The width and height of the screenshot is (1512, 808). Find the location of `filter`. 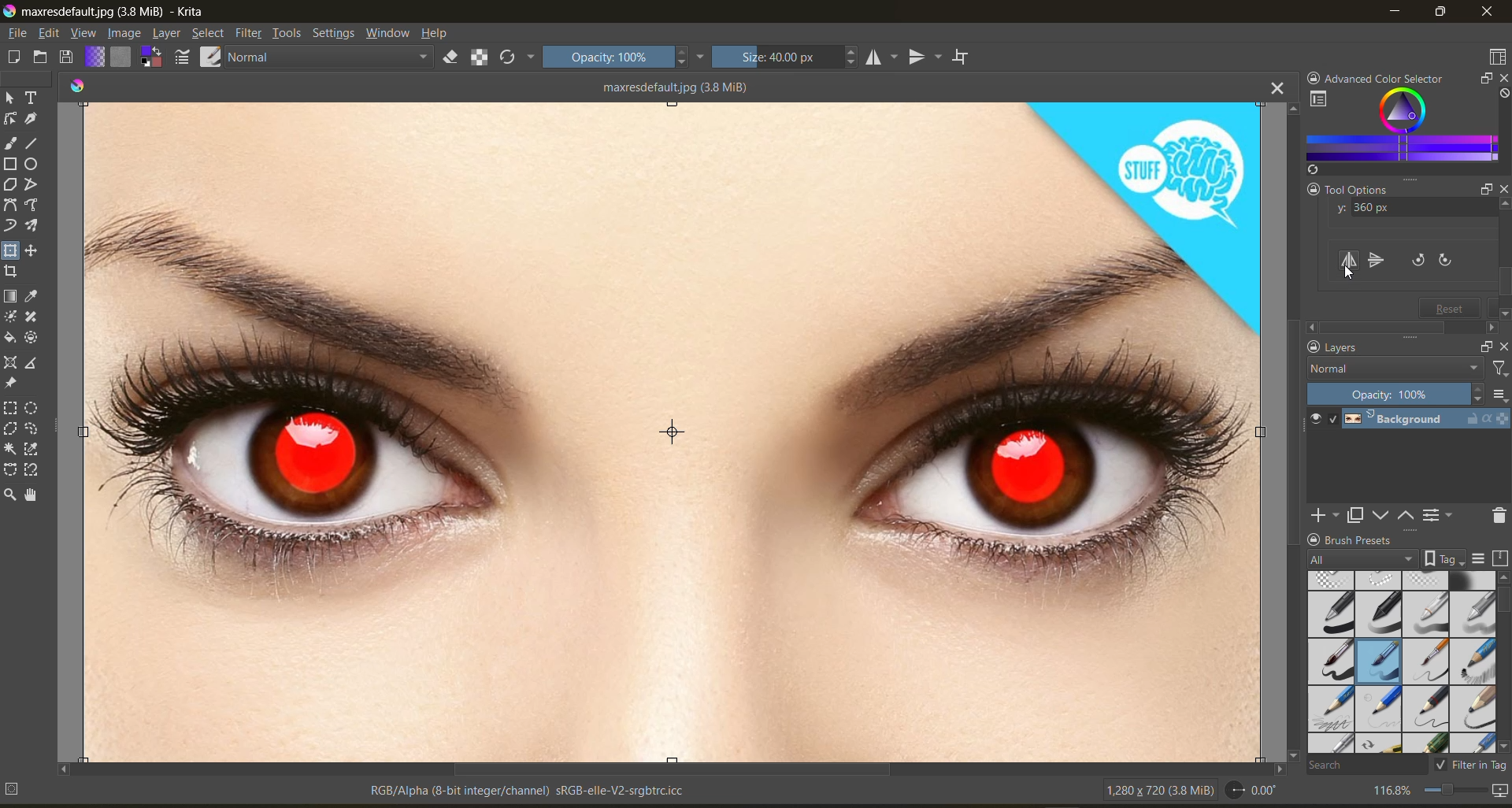

filter is located at coordinates (1498, 369).